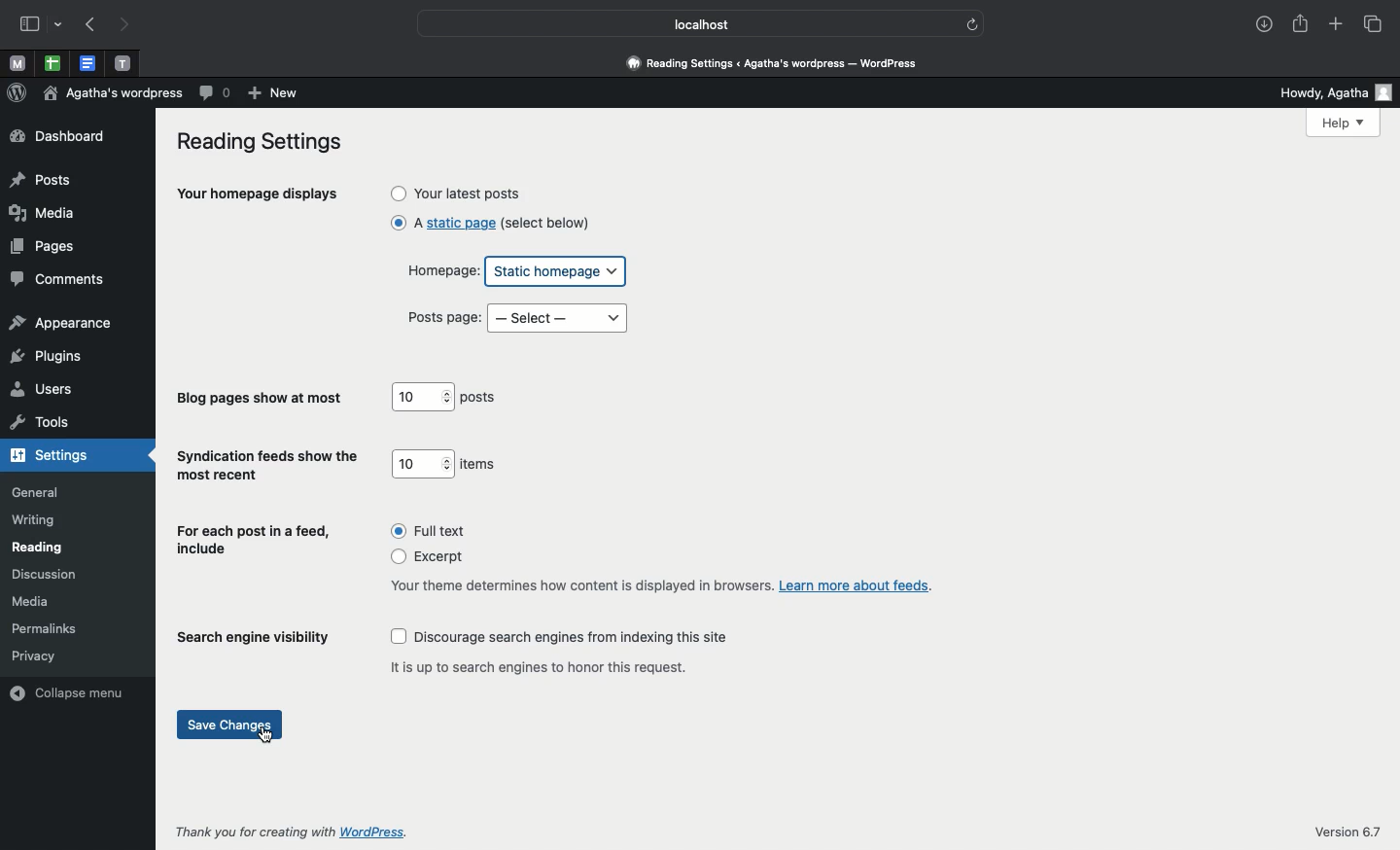 The height and width of the screenshot is (850, 1400). I want to click on Posts page, so click(445, 318).